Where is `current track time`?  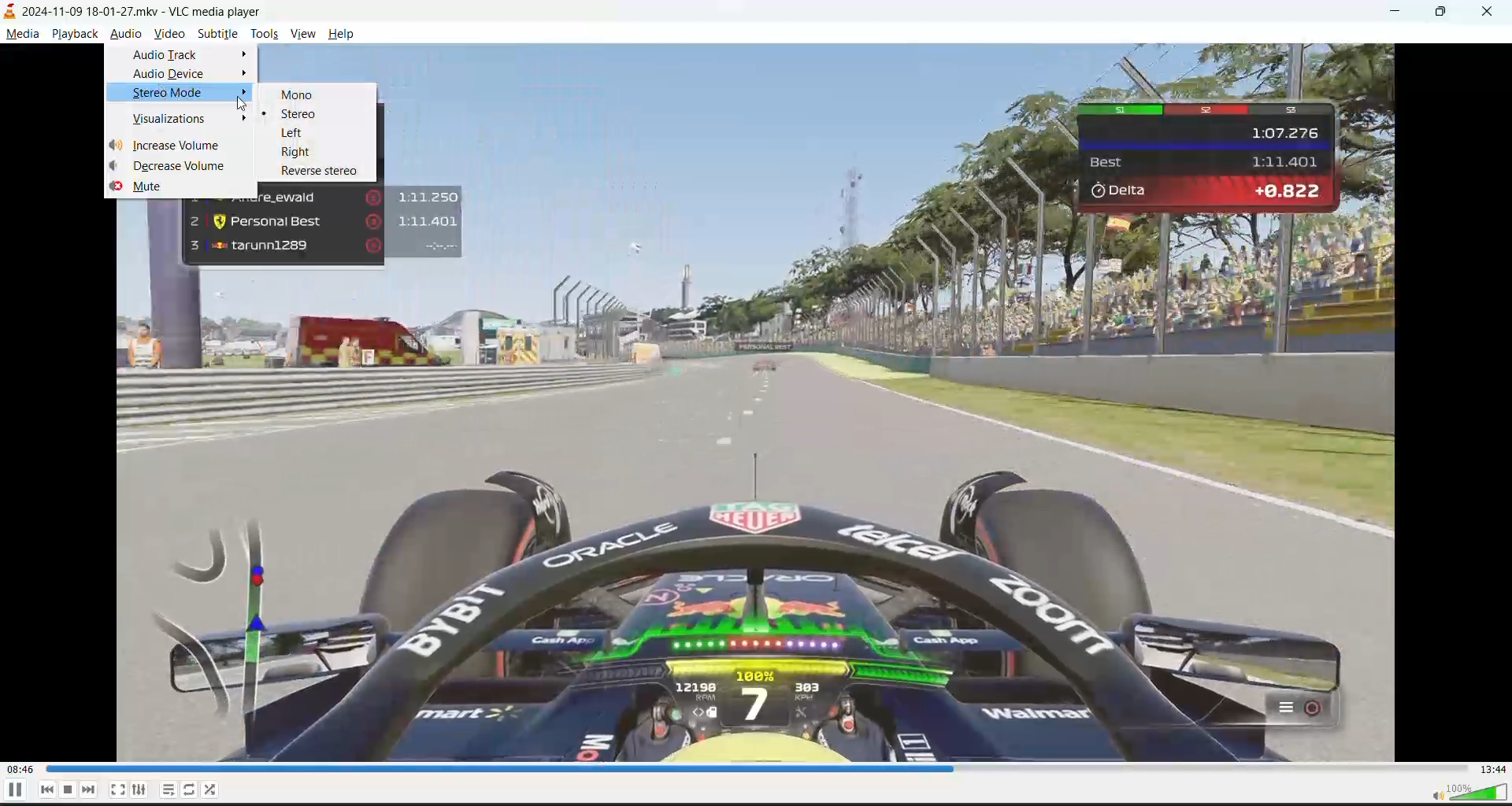 current track time is located at coordinates (19, 769).